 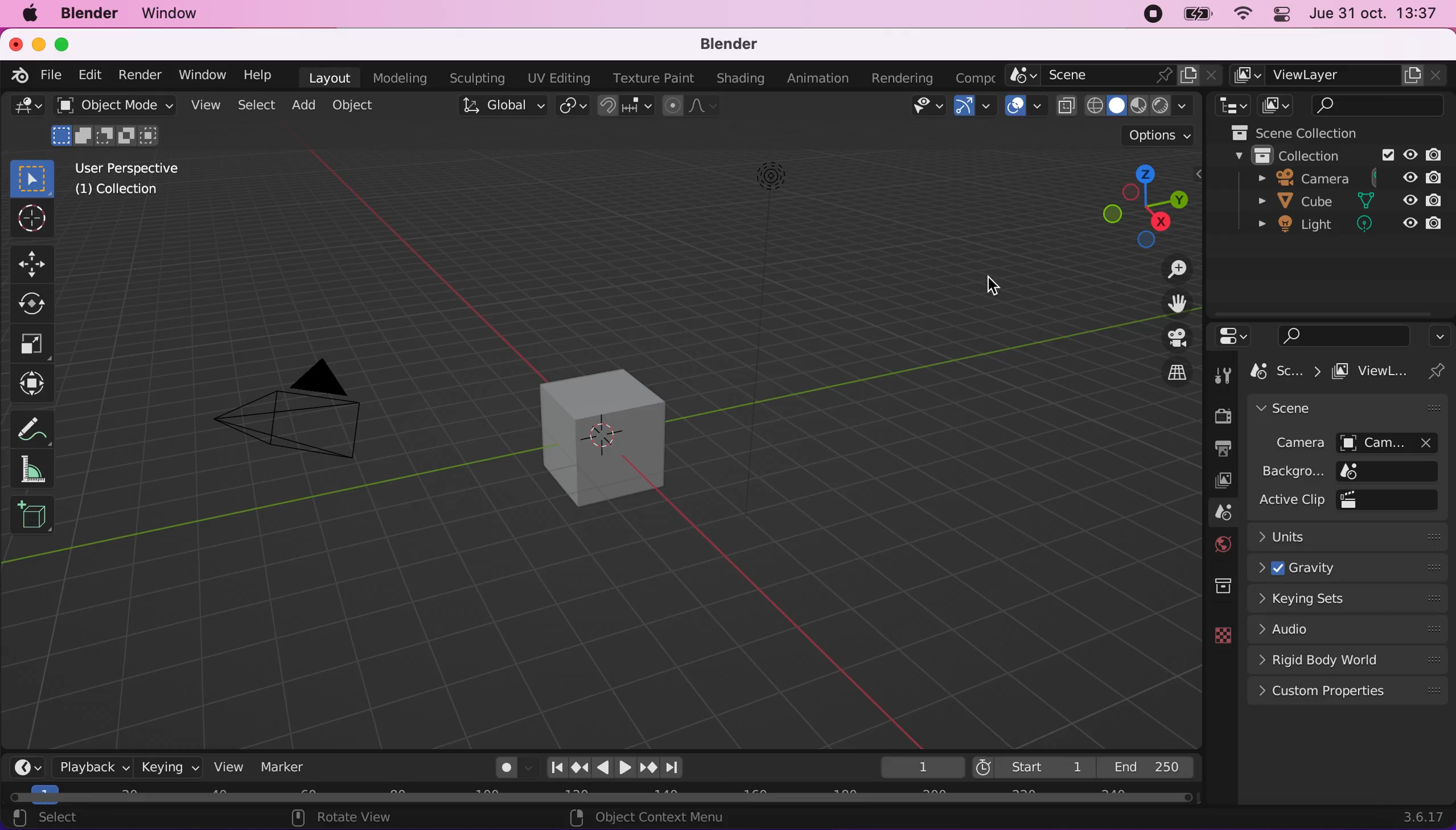 What do you see at coordinates (1168, 302) in the screenshot?
I see `move the view` at bounding box center [1168, 302].